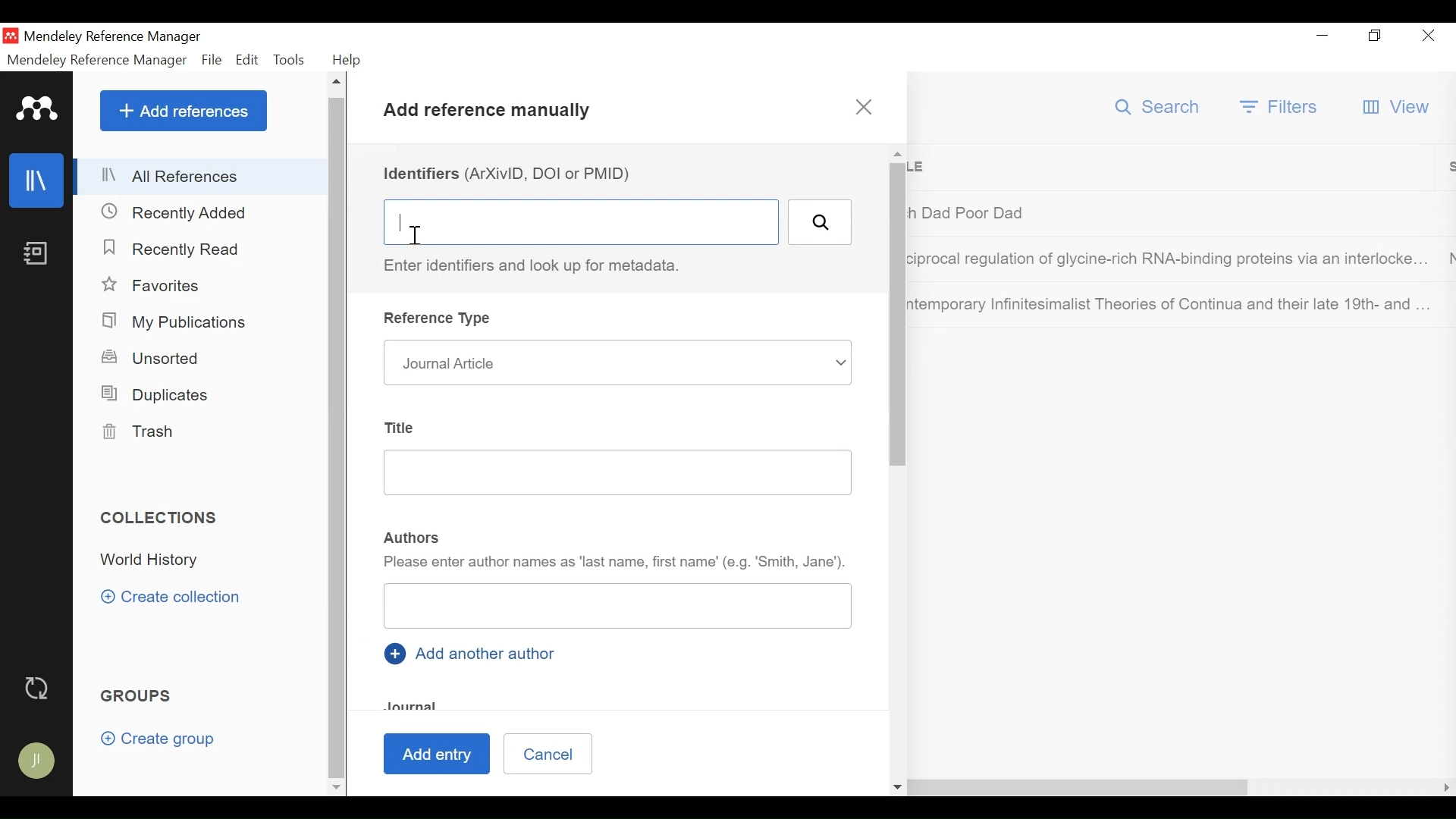 This screenshot has width=1456, height=819. What do you see at coordinates (808, 788) in the screenshot?
I see `Horizontal Scroll bar` at bounding box center [808, 788].